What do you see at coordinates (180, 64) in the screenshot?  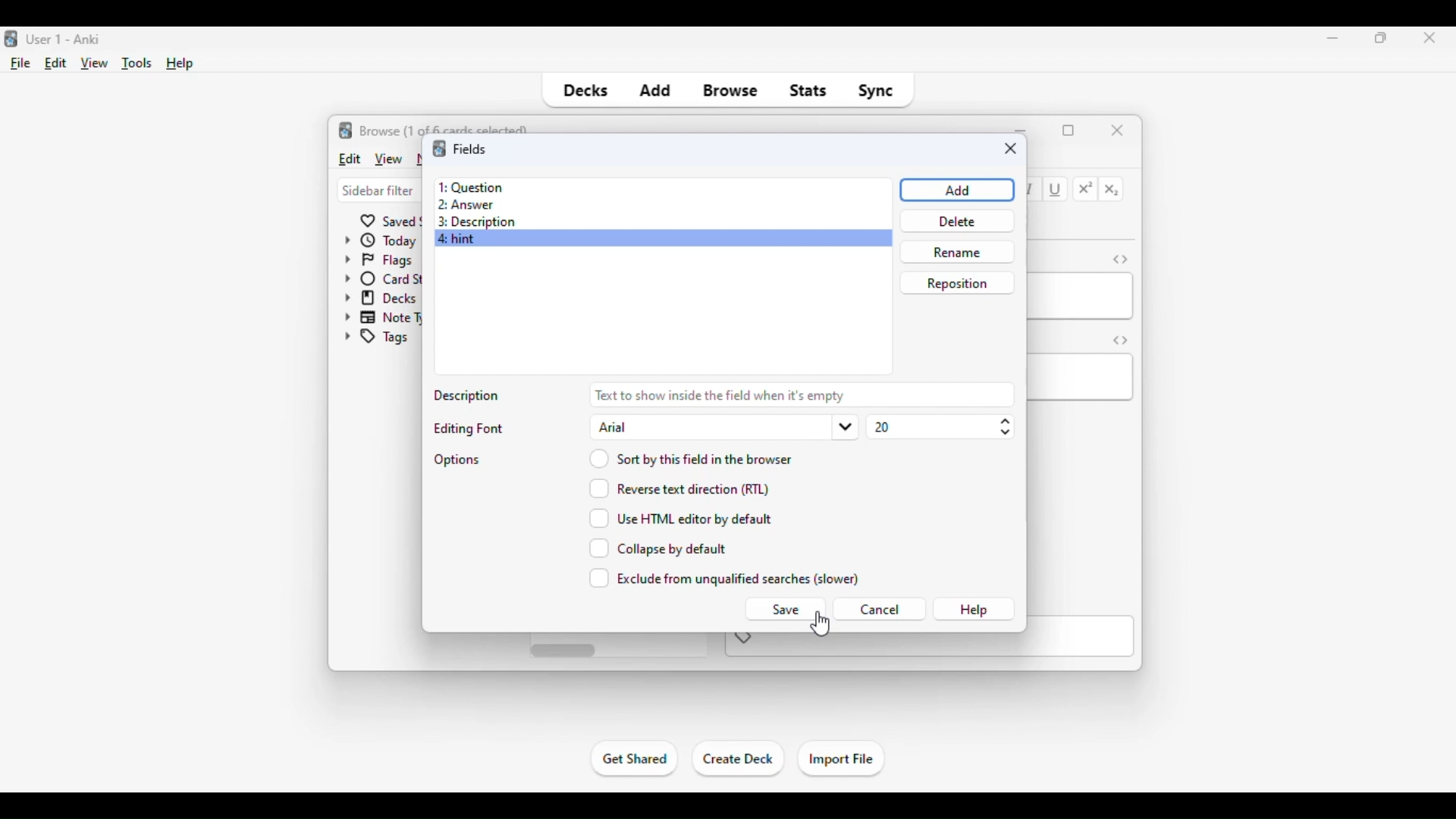 I see `help` at bounding box center [180, 64].